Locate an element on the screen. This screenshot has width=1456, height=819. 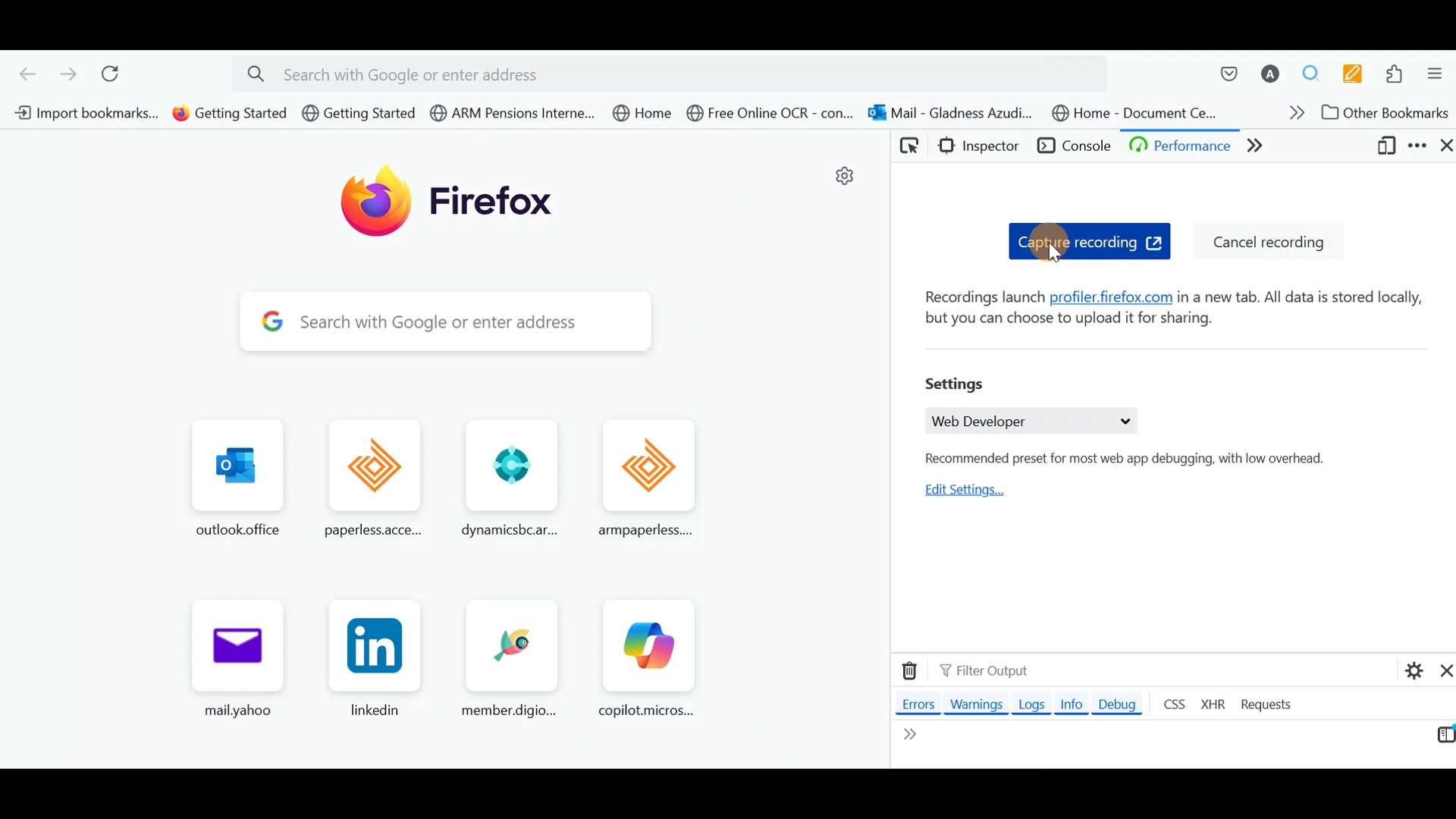
XHR is located at coordinates (1216, 703).